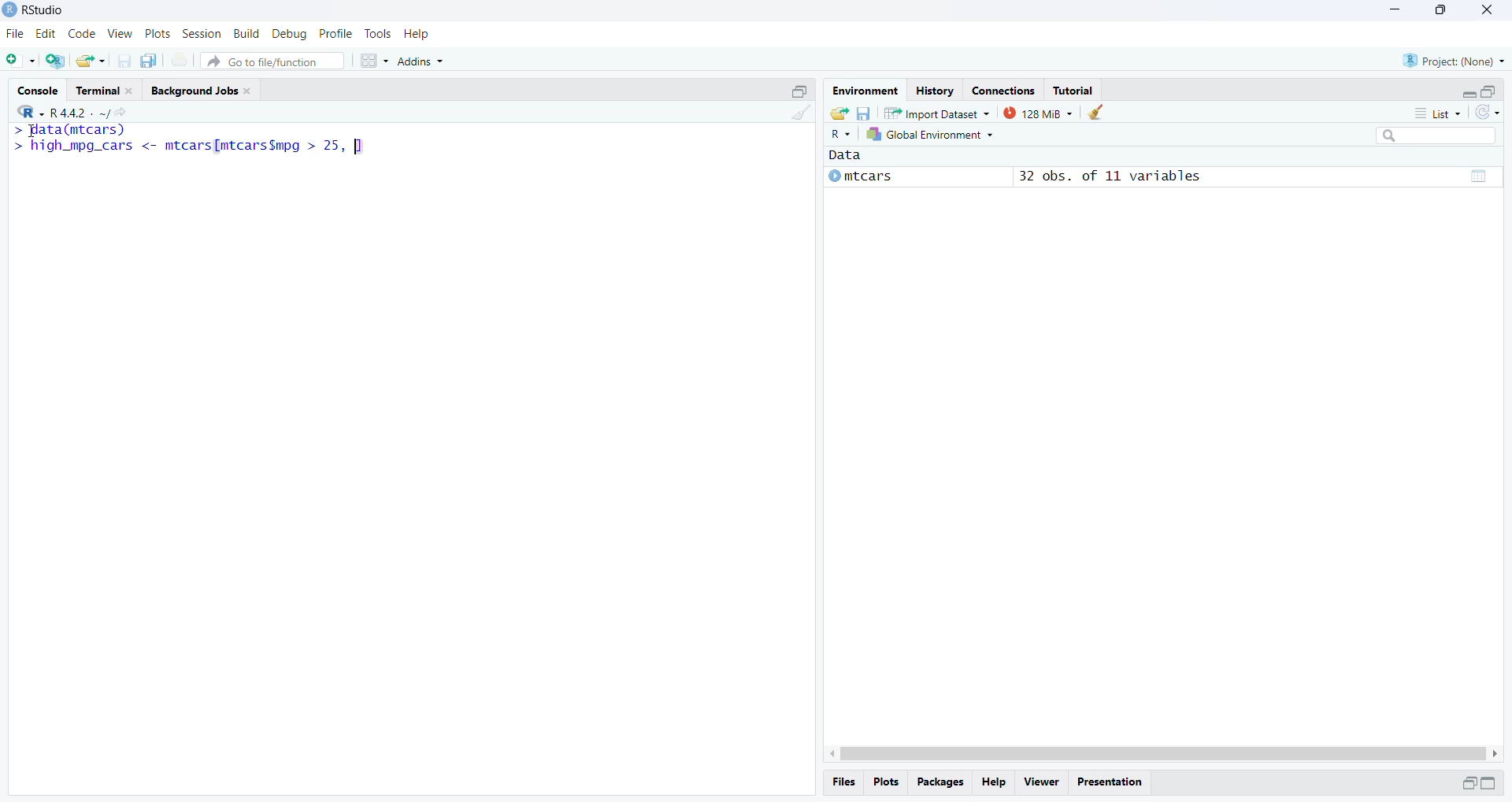 Image resolution: width=1512 pixels, height=802 pixels. I want to click on maximize, so click(1489, 92).